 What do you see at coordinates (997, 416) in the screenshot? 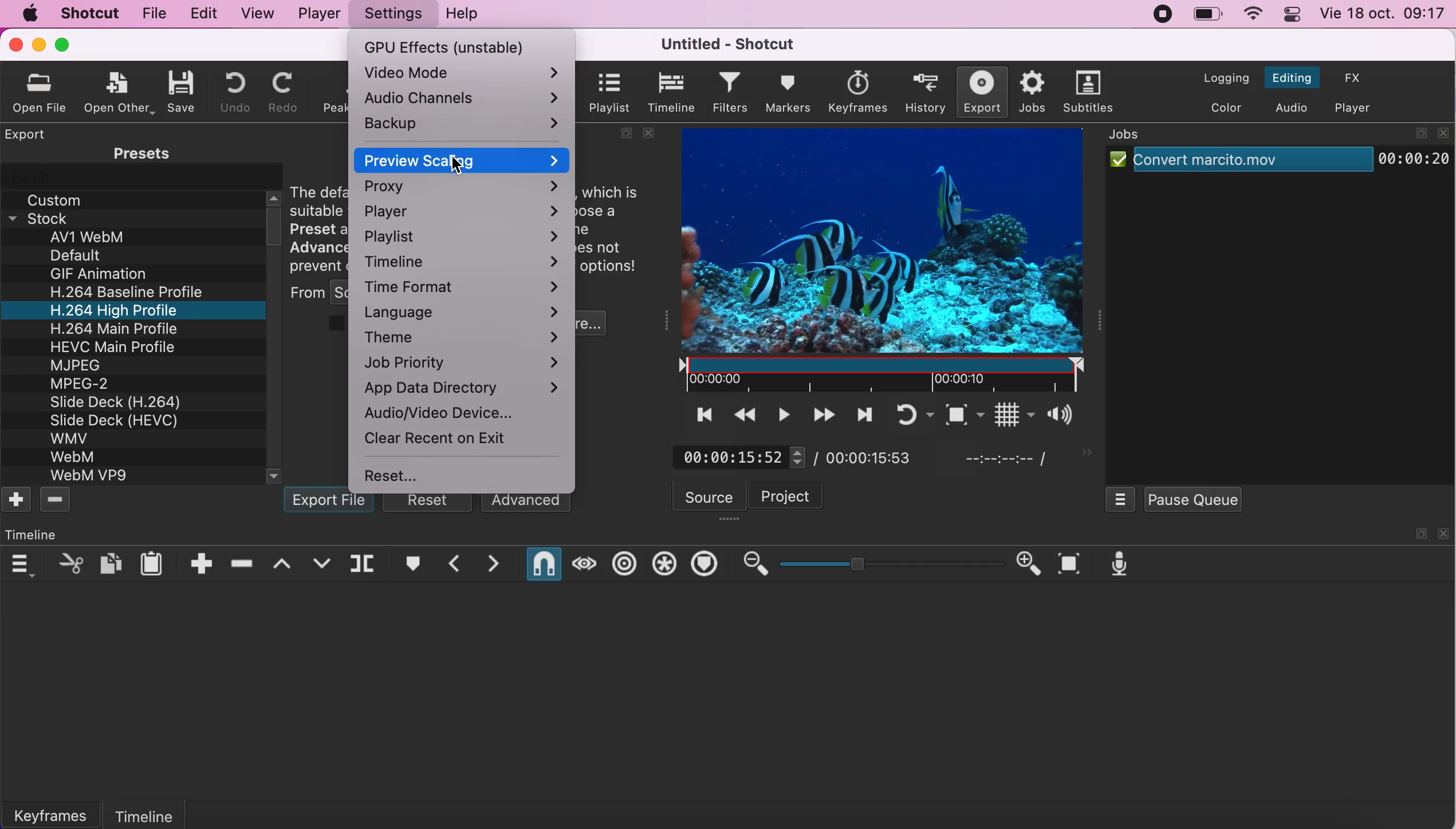
I see `toggle grid display on the player` at bounding box center [997, 416].